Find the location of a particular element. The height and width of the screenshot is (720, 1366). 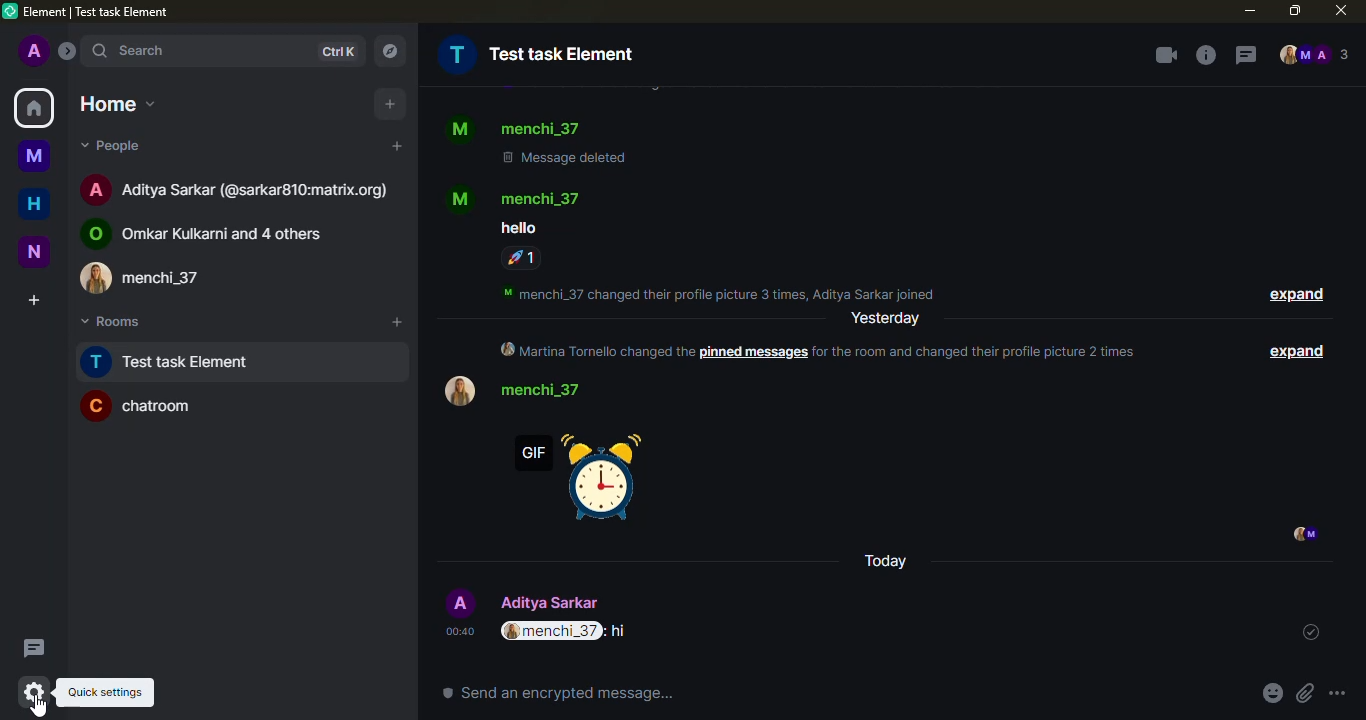

expand is located at coordinates (1296, 296).